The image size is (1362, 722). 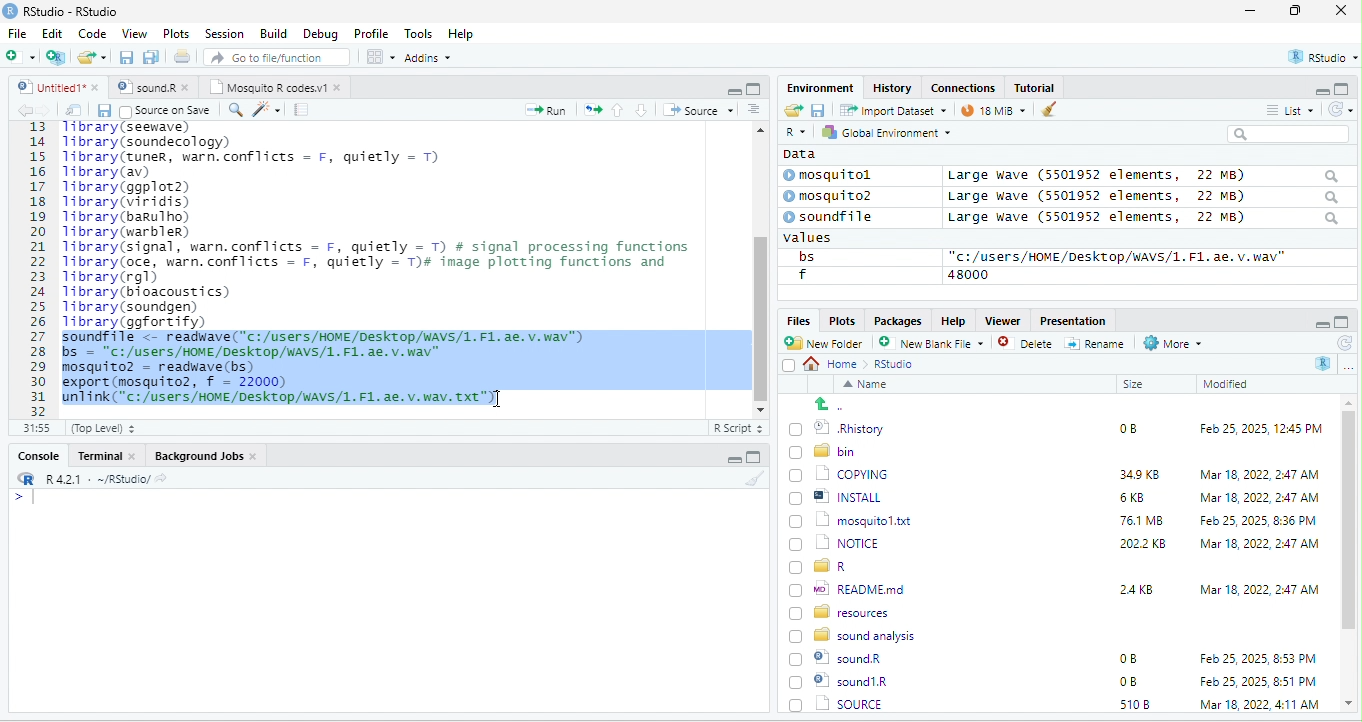 I want to click on open, so click(x=792, y=111).